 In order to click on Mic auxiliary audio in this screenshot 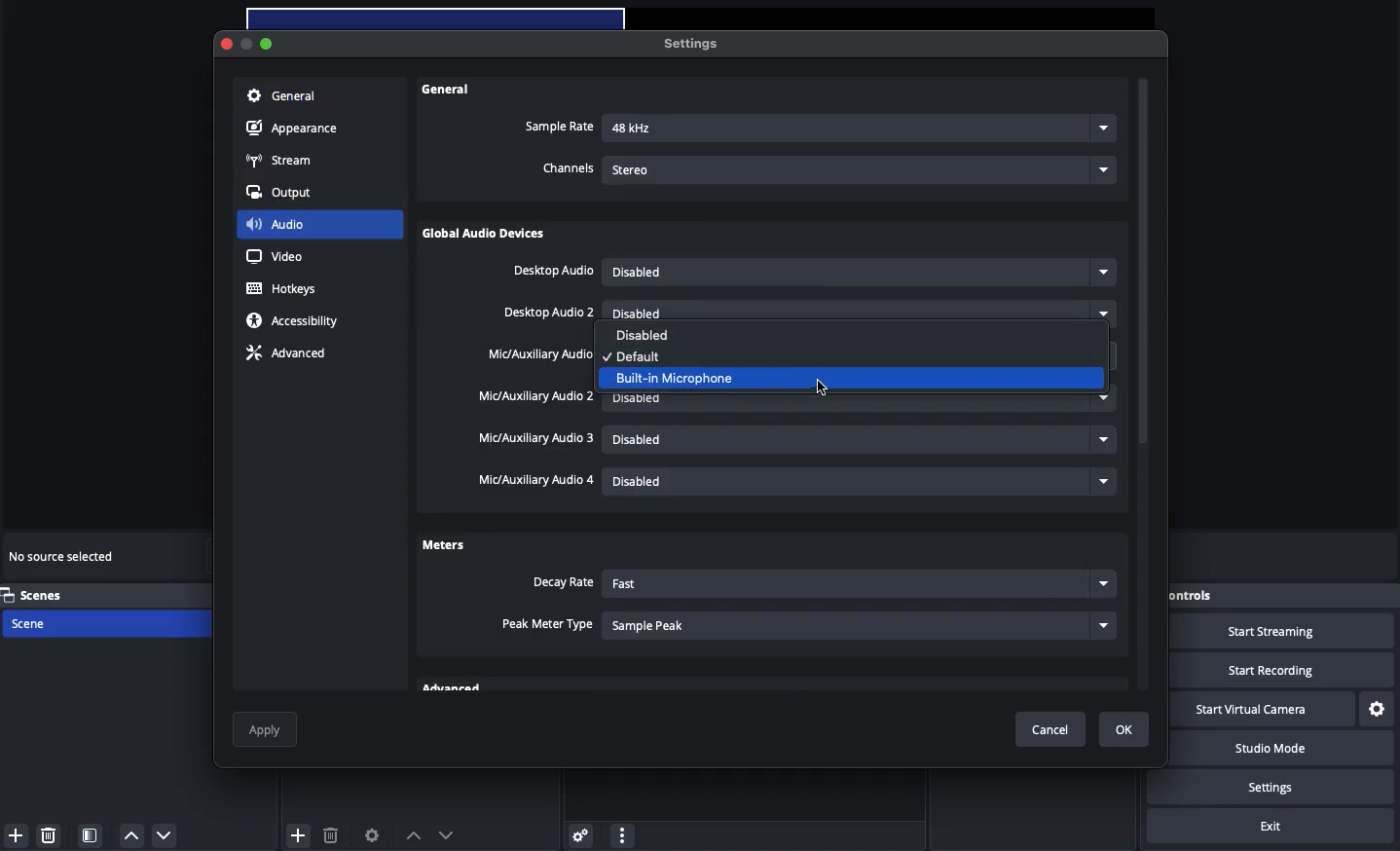, I will do `click(539, 355)`.